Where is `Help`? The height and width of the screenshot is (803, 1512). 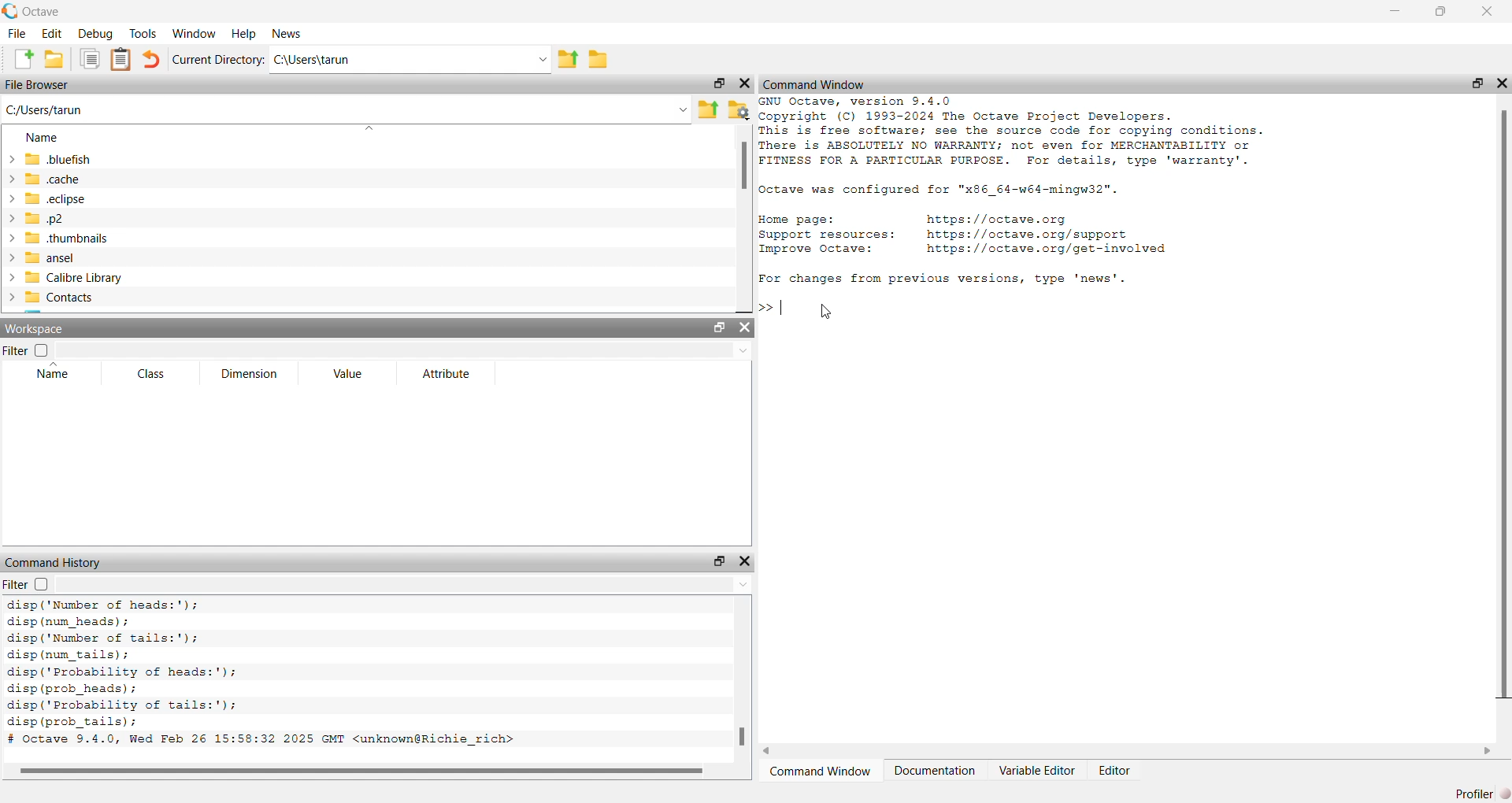 Help is located at coordinates (244, 32).